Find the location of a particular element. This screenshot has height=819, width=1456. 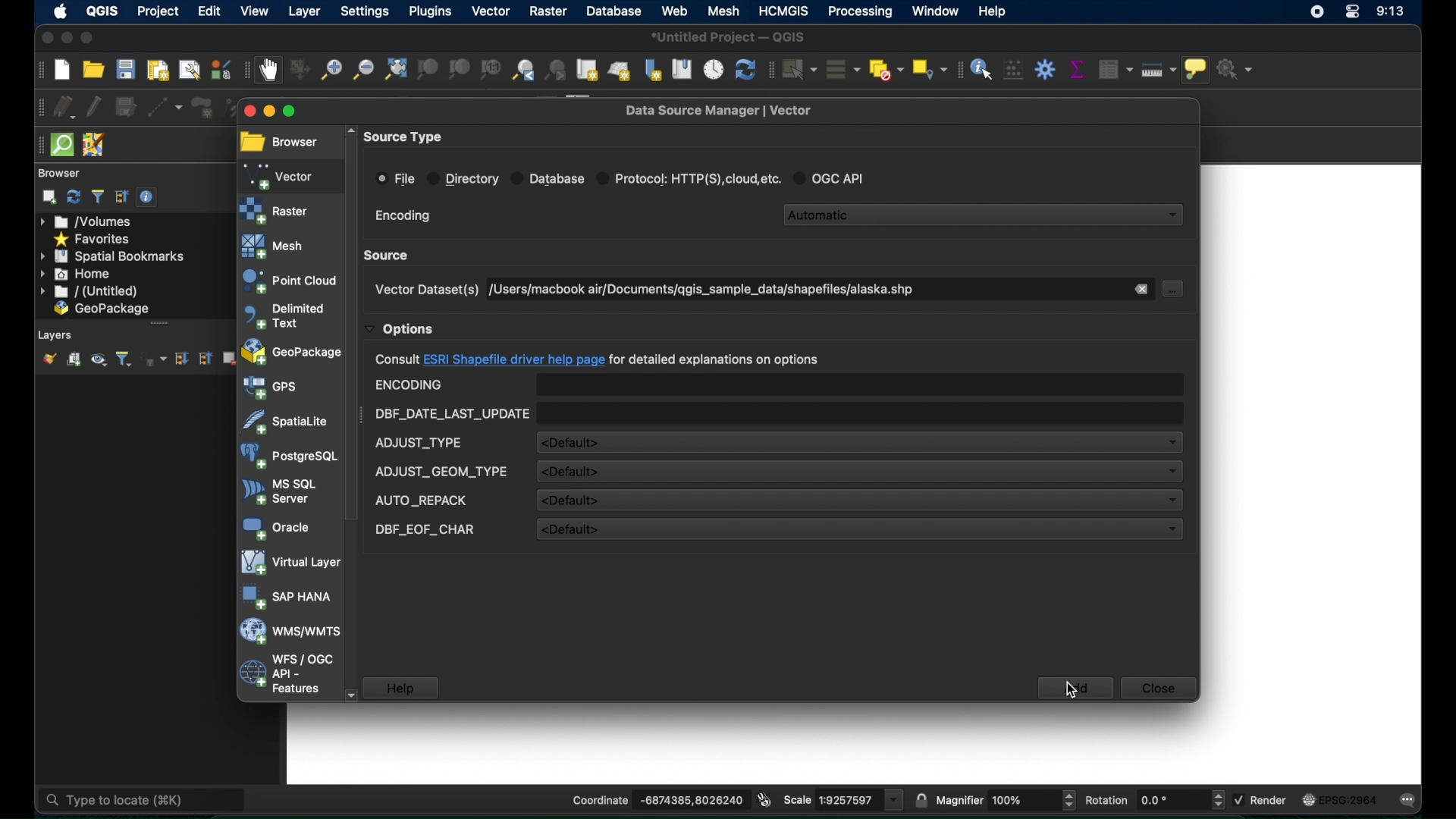

filter browser is located at coordinates (97, 196).